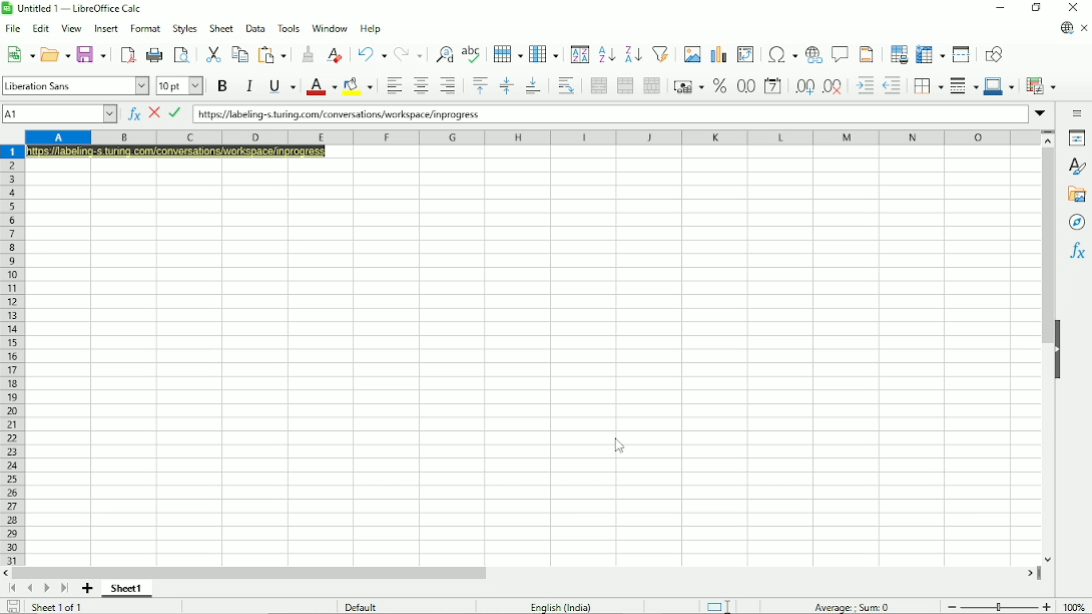 This screenshot has width=1092, height=614. Describe the element at coordinates (626, 86) in the screenshot. I see `Merge cells` at that location.